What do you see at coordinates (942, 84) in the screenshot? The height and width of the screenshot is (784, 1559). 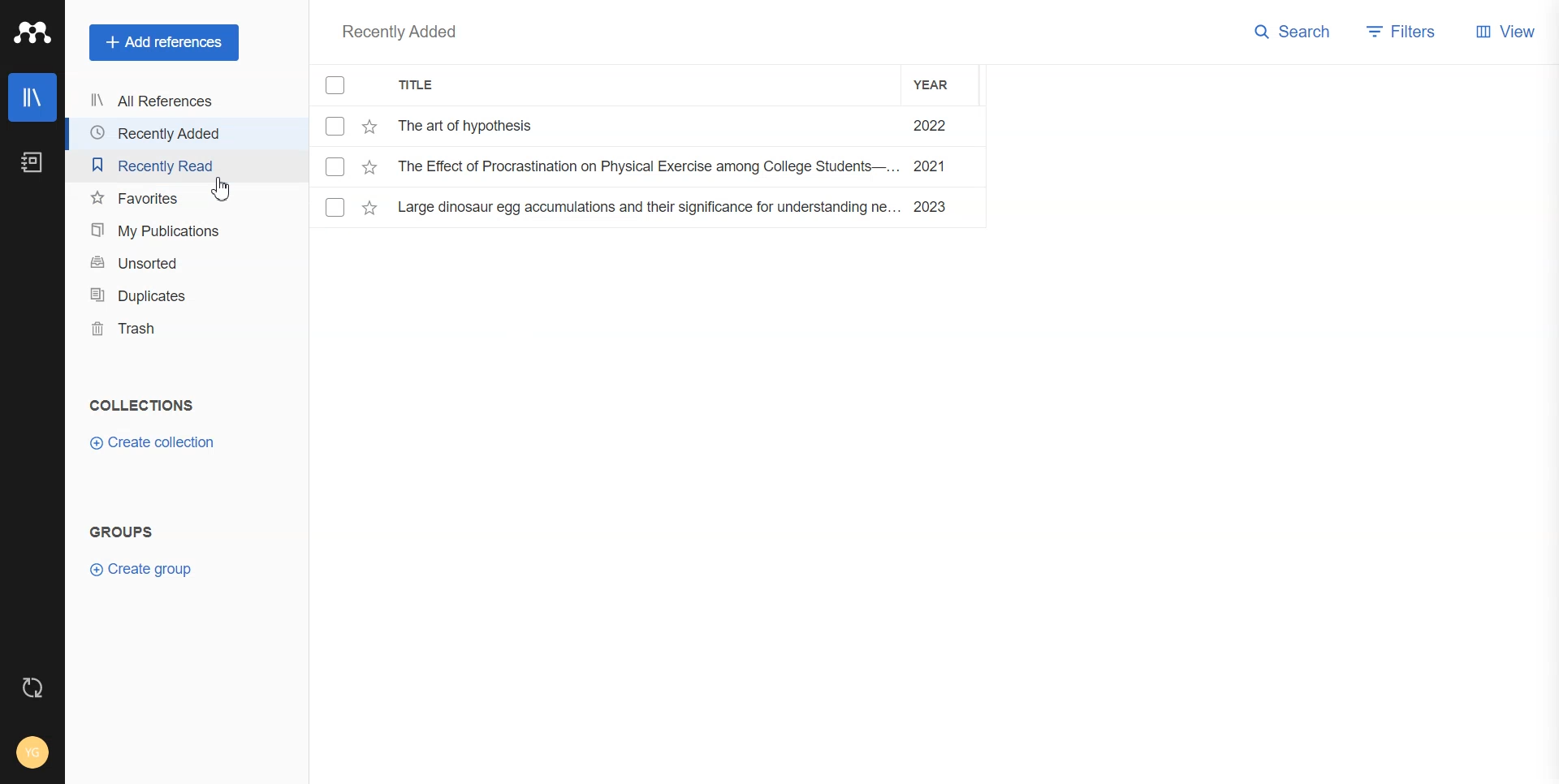 I see `Year` at bounding box center [942, 84].